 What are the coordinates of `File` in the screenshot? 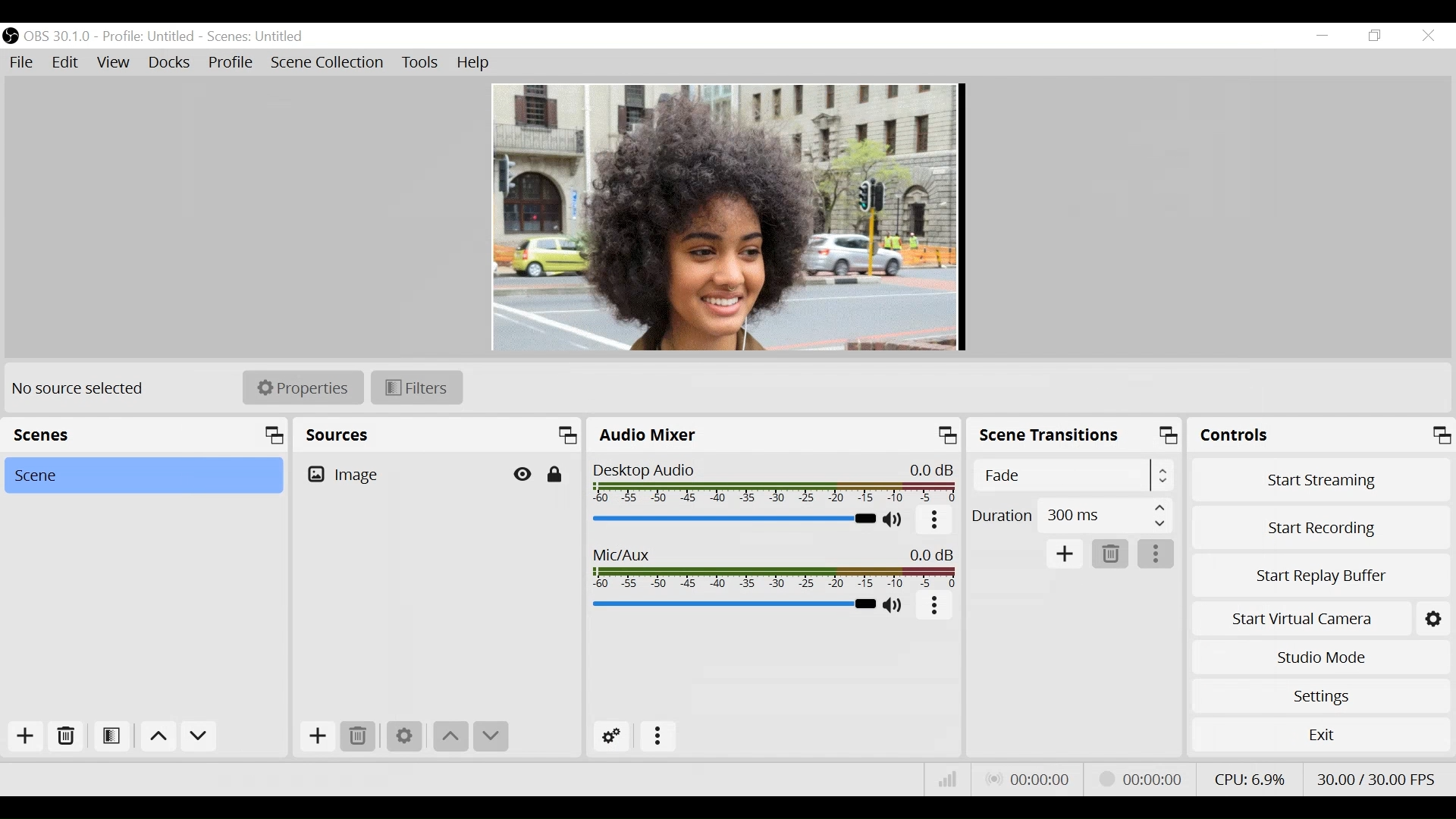 It's located at (24, 63).